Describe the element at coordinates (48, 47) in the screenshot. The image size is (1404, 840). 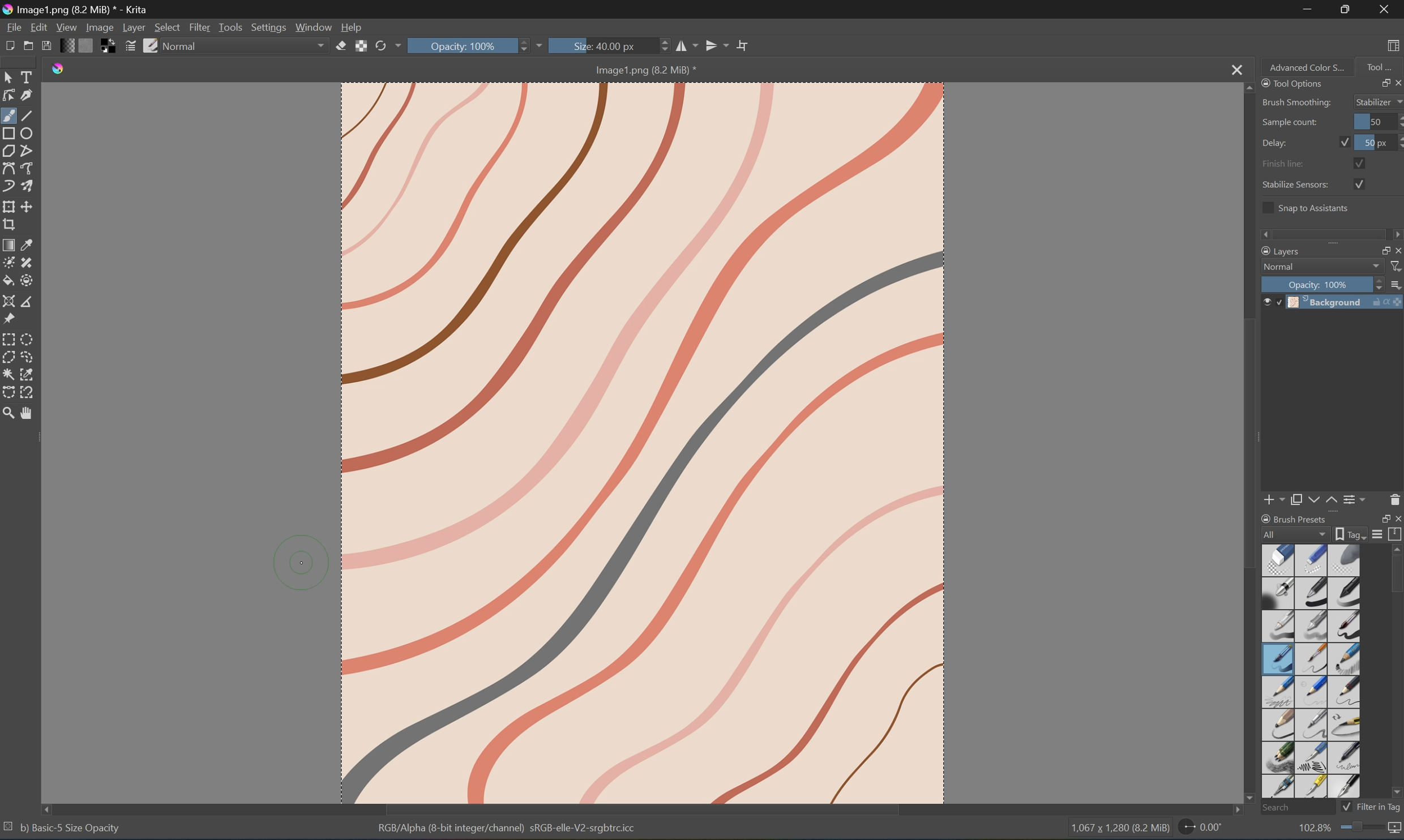
I see `Save` at that location.